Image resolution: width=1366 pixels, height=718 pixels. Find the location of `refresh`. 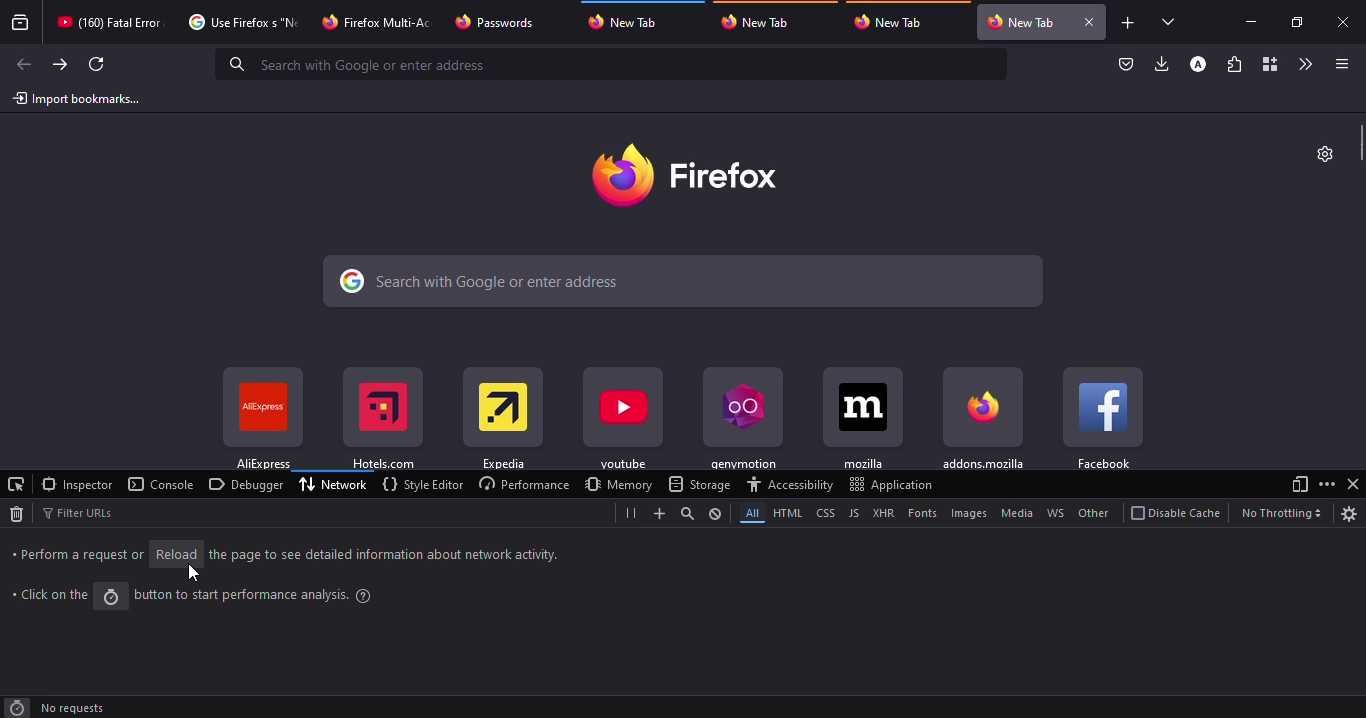

refresh is located at coordinates (96, 65).